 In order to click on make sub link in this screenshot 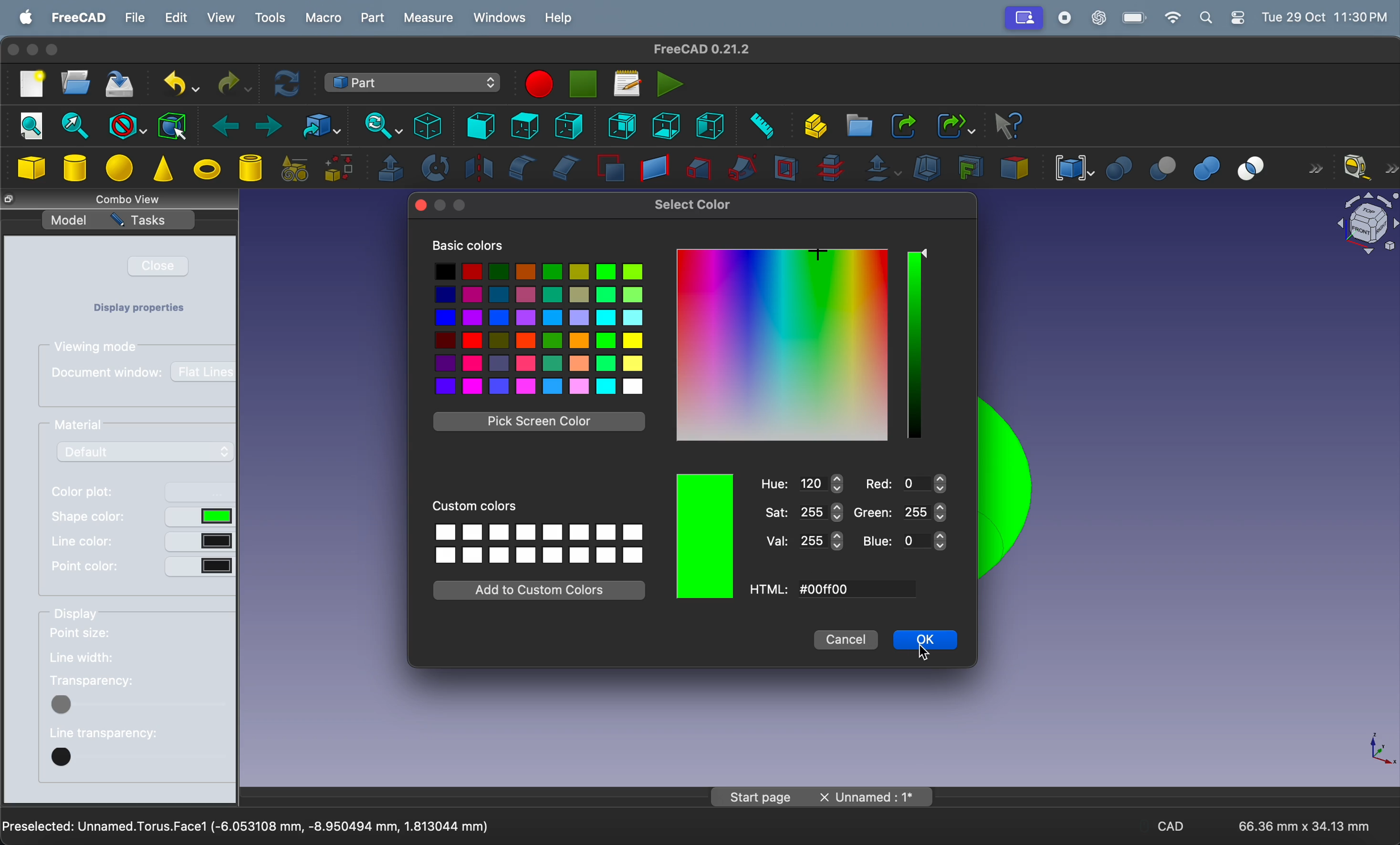, I will do `click(953, 126)`.